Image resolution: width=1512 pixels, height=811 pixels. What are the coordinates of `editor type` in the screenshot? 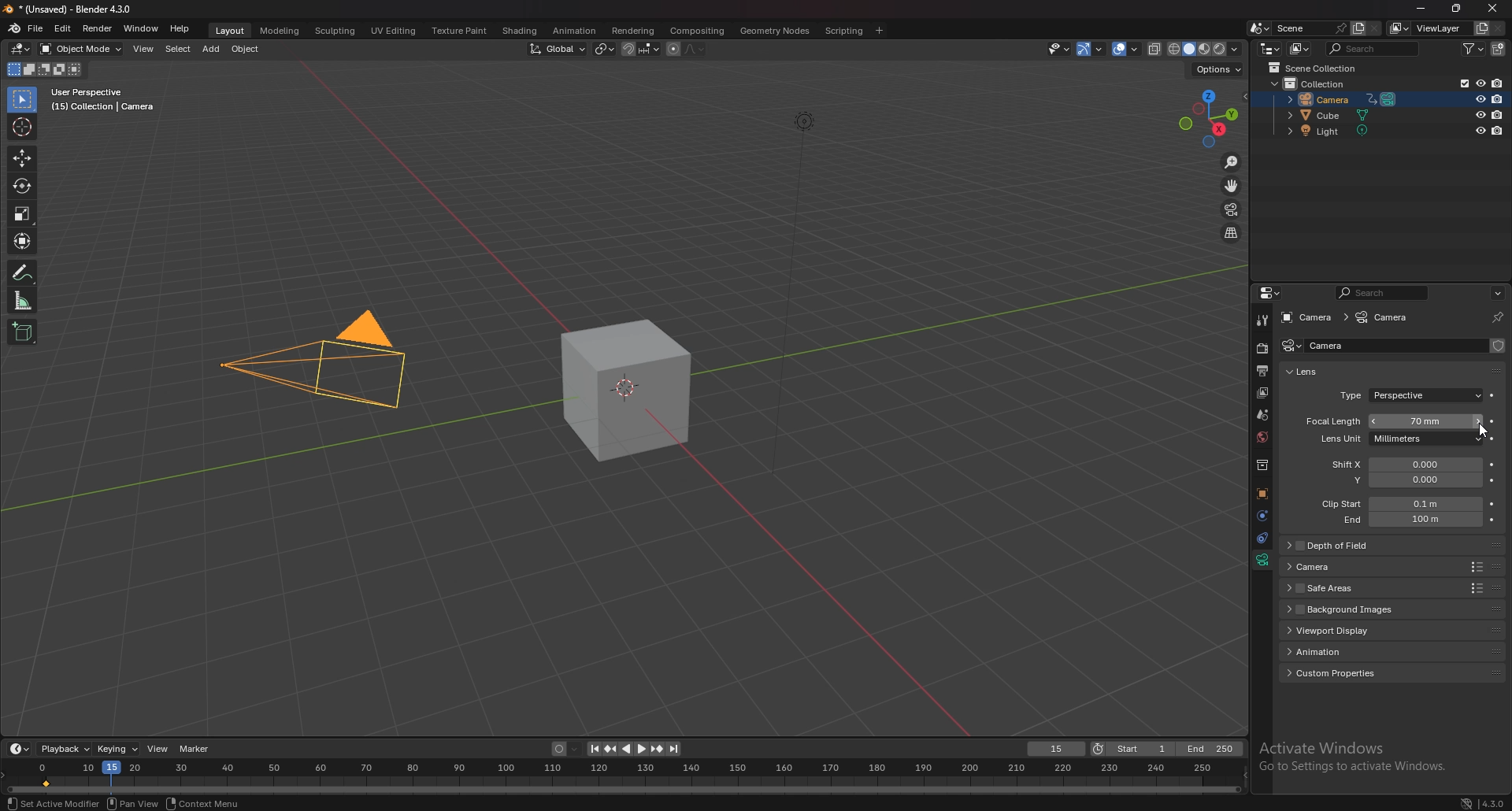 It's located at (20, 748).